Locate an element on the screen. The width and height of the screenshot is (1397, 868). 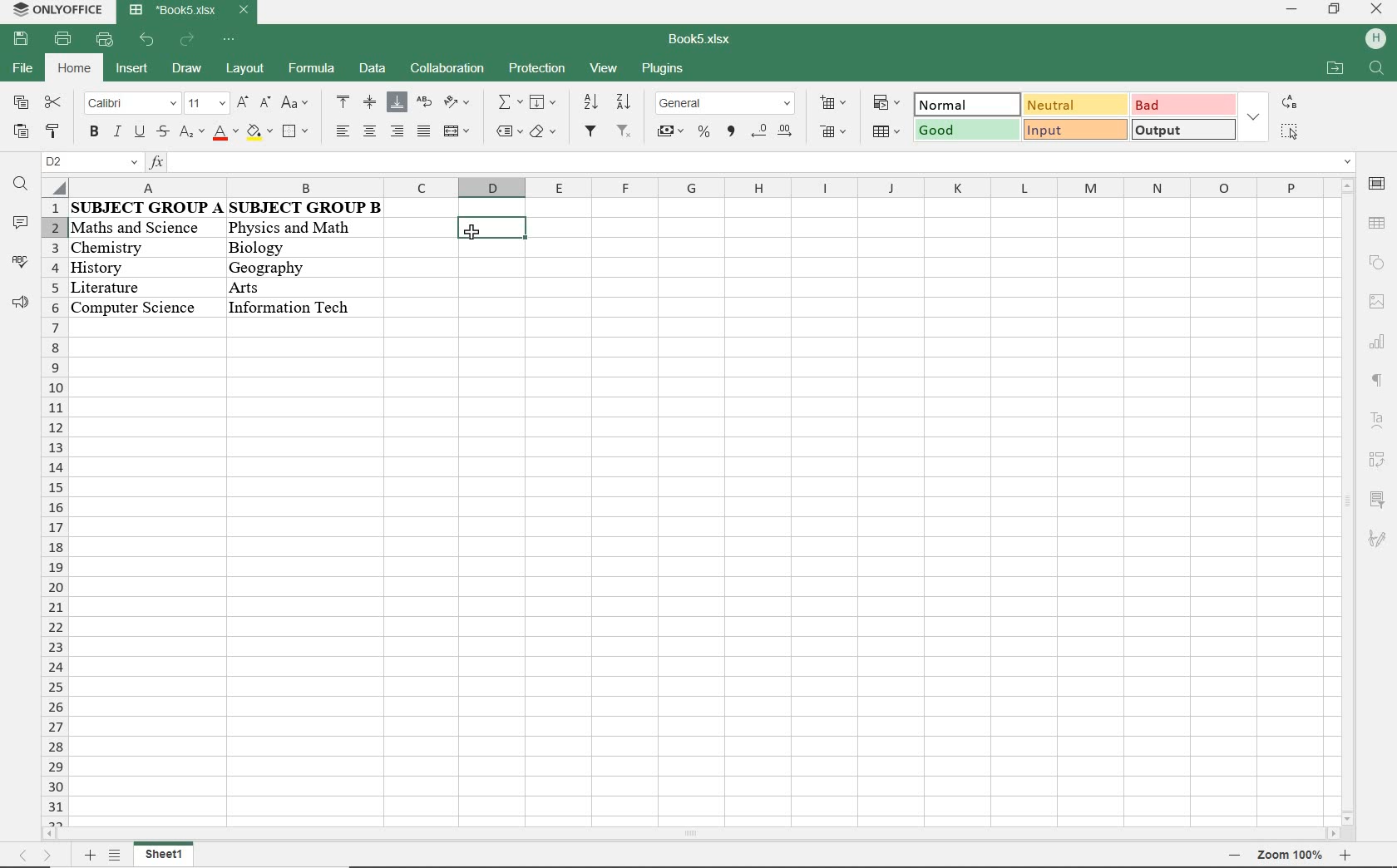
geography is located at coordinates (284, 267).